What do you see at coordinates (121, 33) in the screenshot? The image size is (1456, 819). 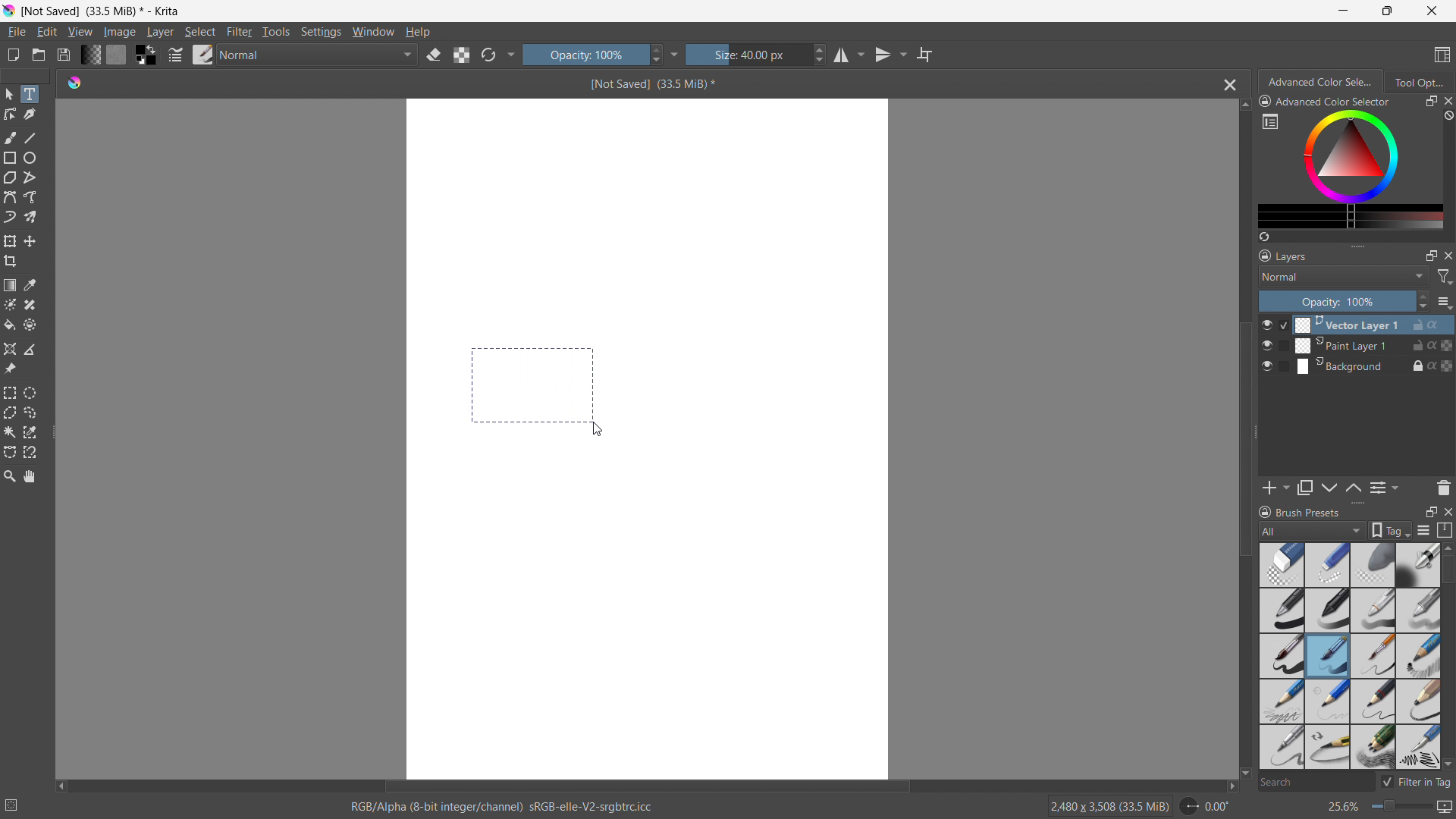 I see `image` at bounding box center [121, 33].